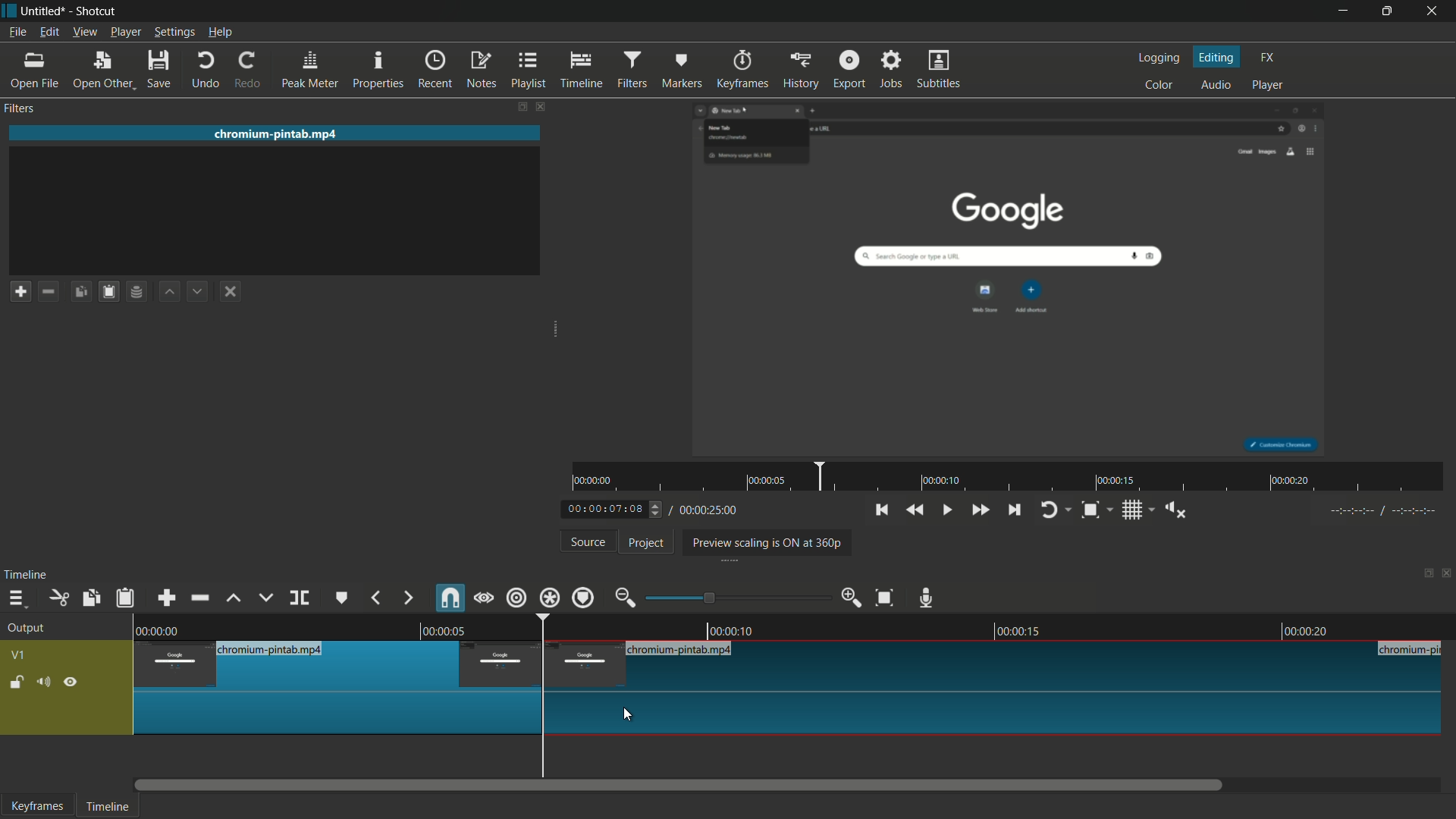  What do you see at coordinates (338, 689) in the screenshot?
I see `this segment has been split` at bounding box center [338, 689].